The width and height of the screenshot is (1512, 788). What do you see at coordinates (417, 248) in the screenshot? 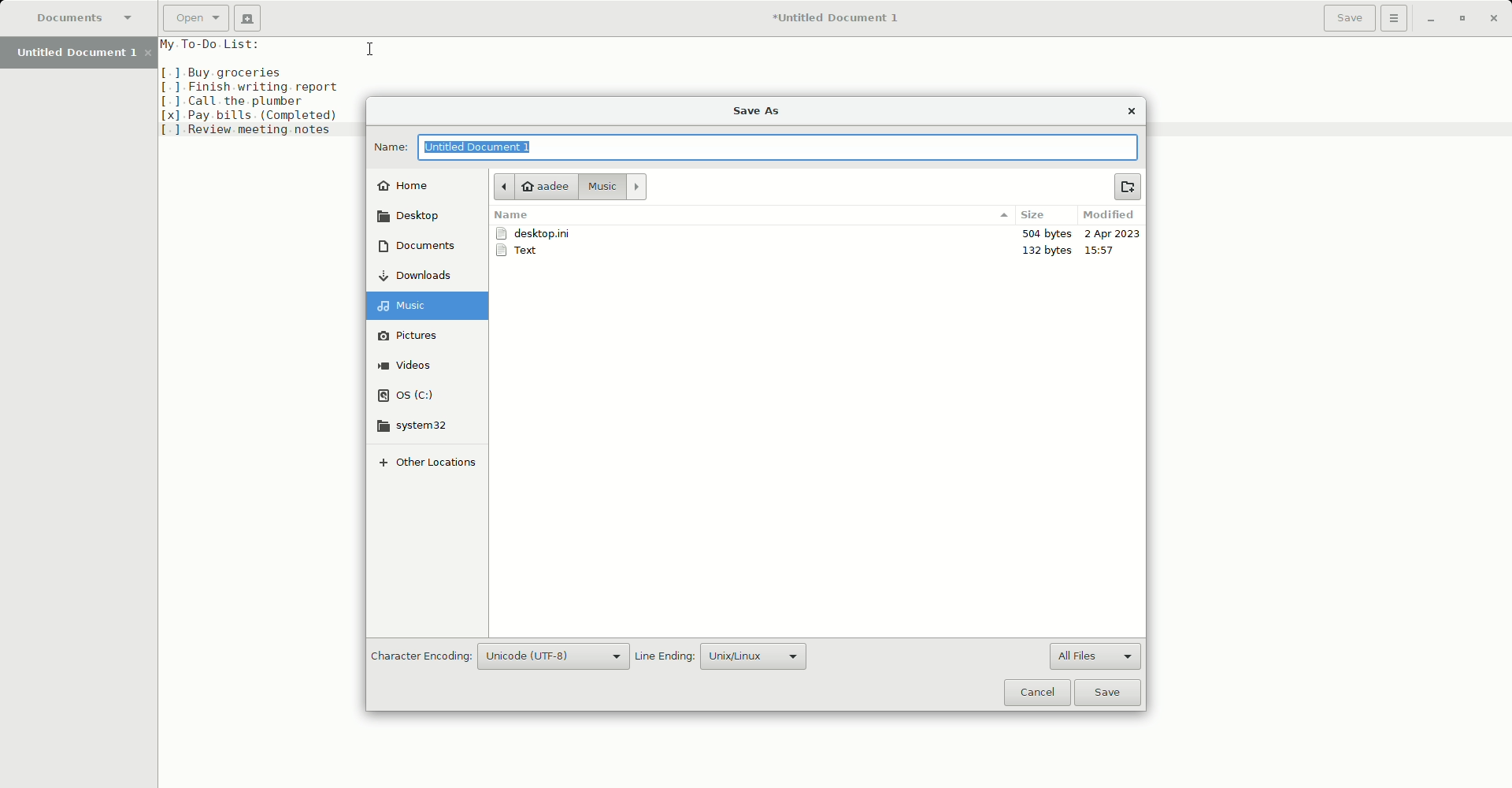
I see `Documents` at bounding box center [417, 248].